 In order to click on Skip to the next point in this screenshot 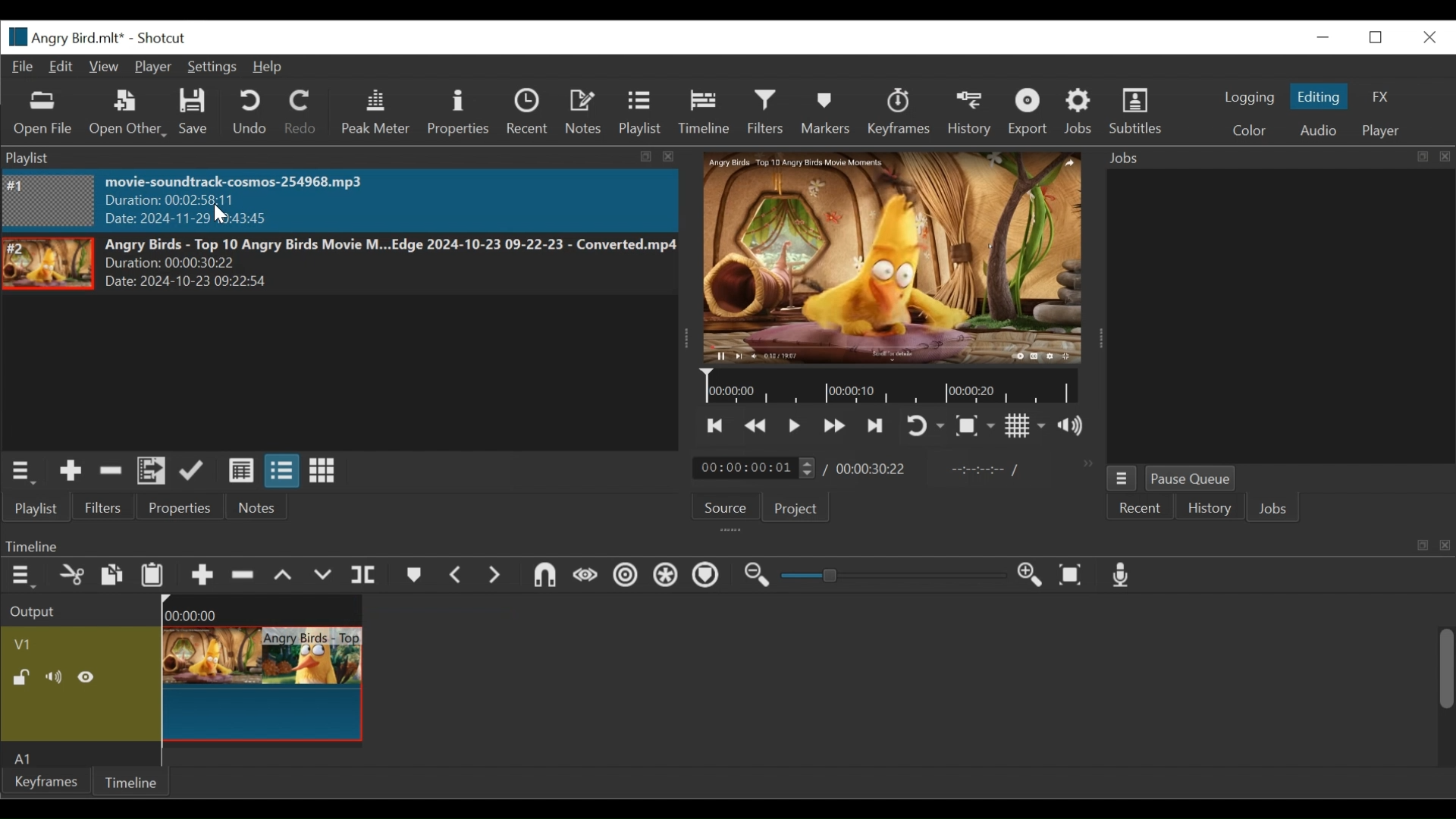, I will do `click(717, 426)`.